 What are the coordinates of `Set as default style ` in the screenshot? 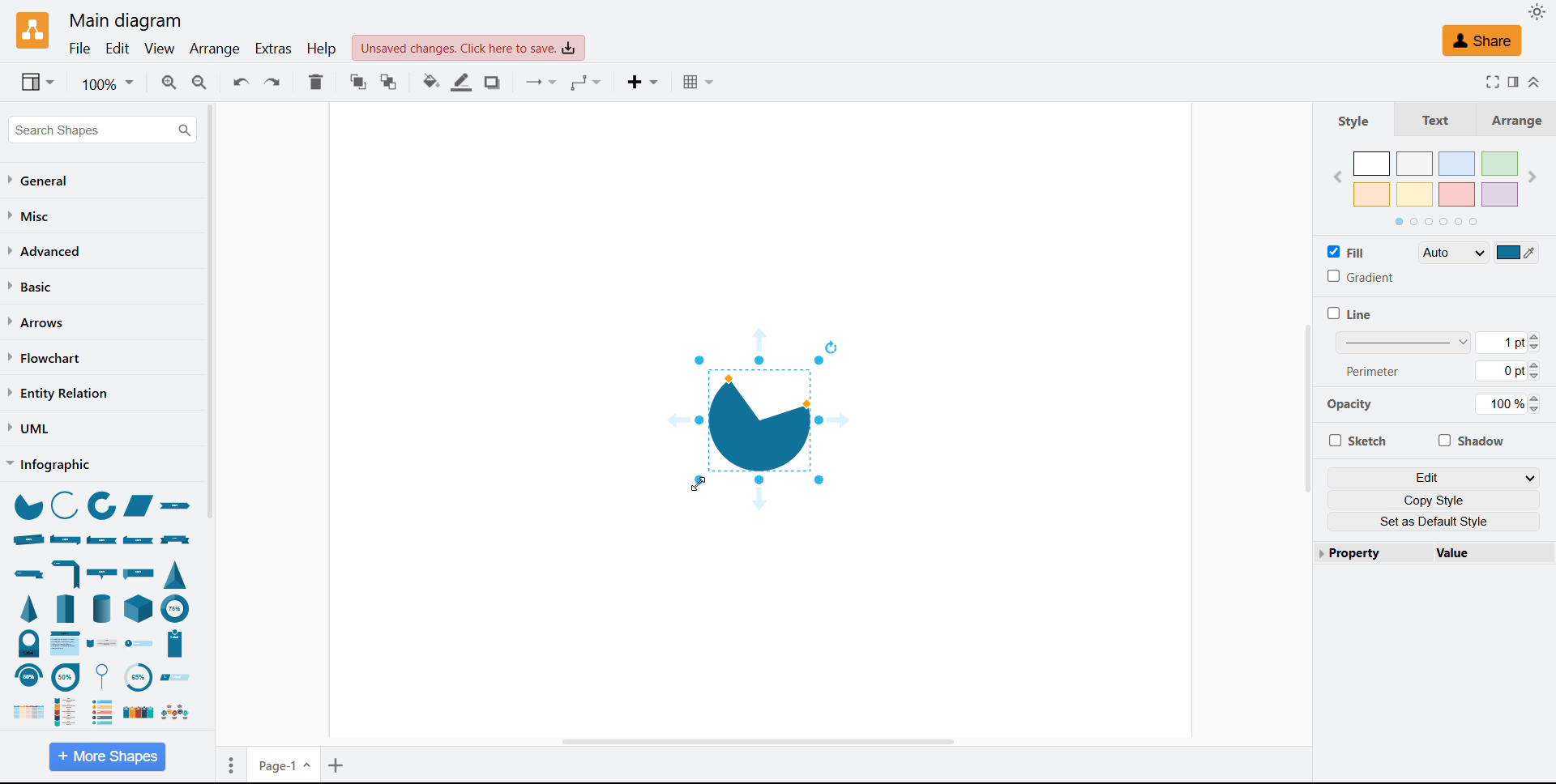 It's located at (1434, 522).